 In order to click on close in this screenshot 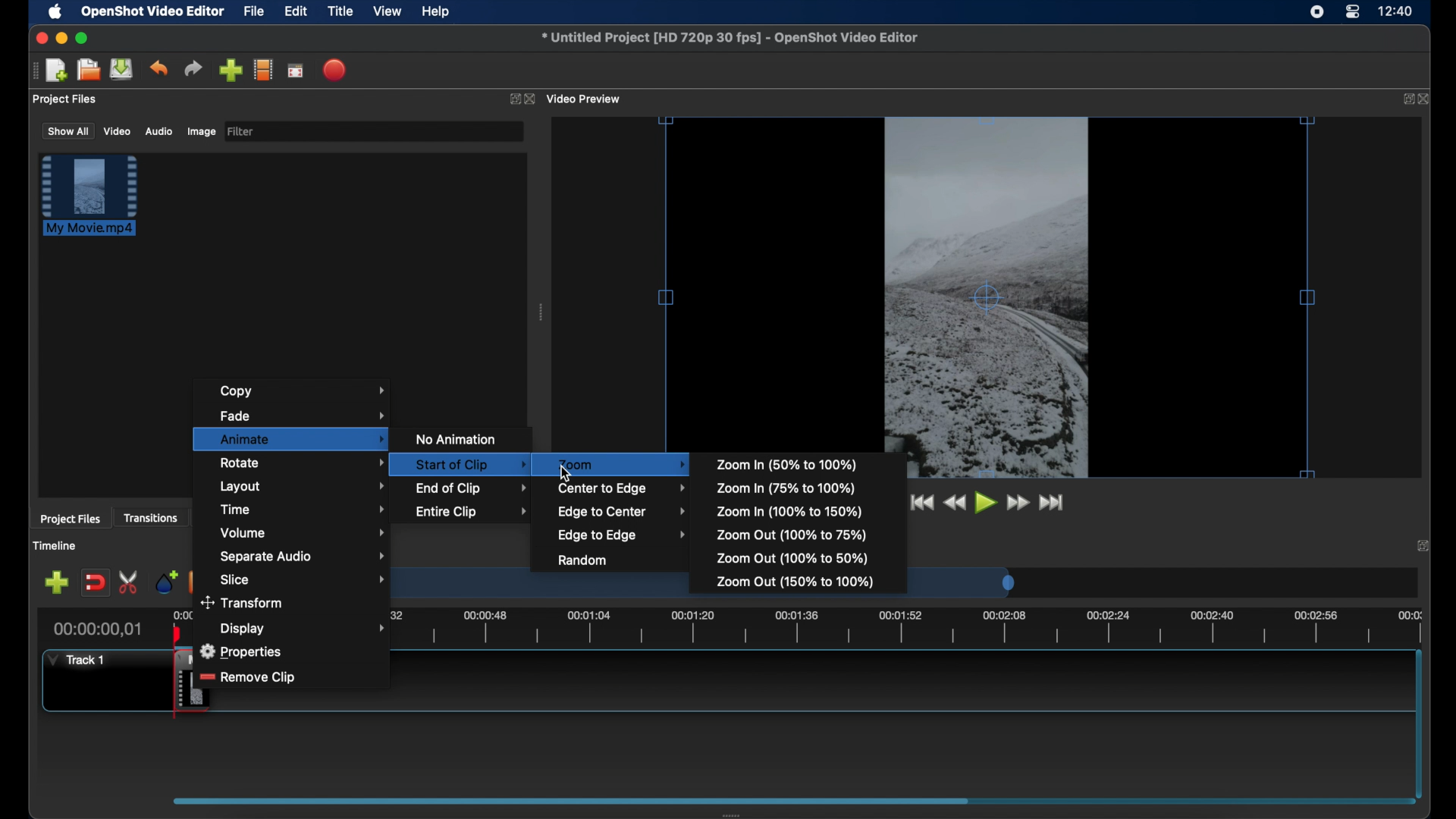, I will do `click(1426, 100)`.